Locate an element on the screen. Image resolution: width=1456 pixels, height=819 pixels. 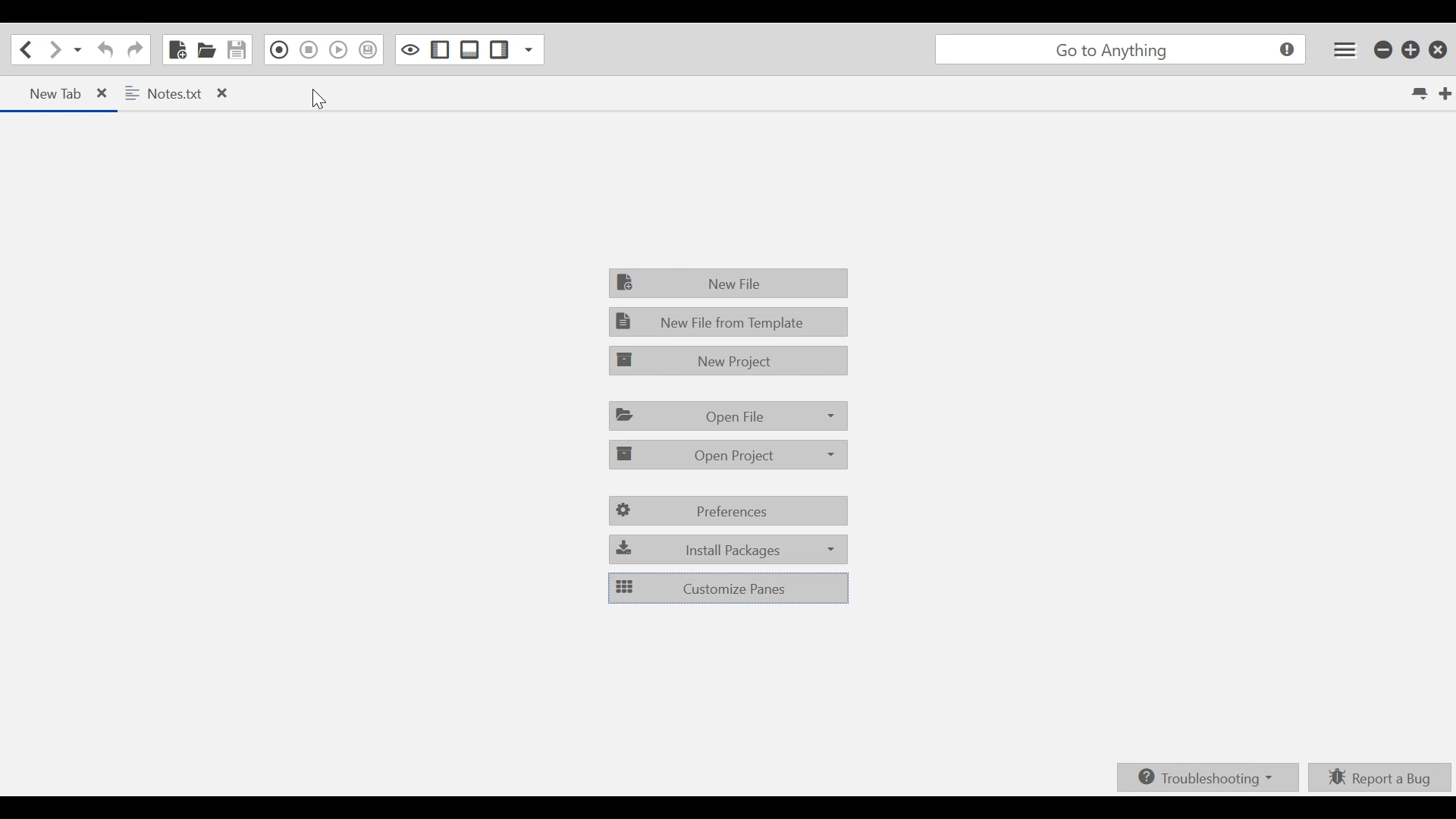
Click to go back one location is located at coordinates (24, 50).